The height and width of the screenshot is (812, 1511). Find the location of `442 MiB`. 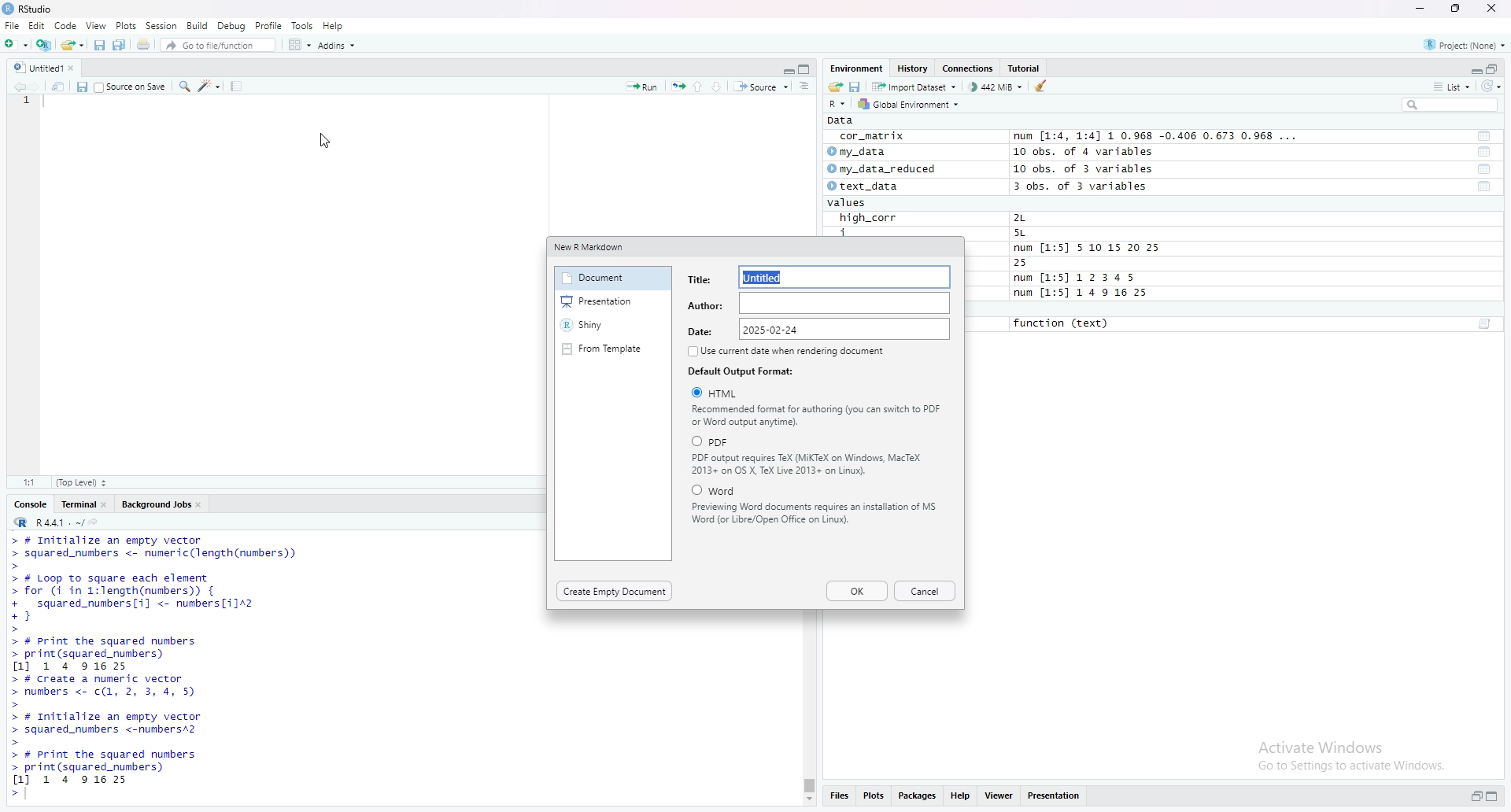

442 MiB is located at coordinates (999, 87).